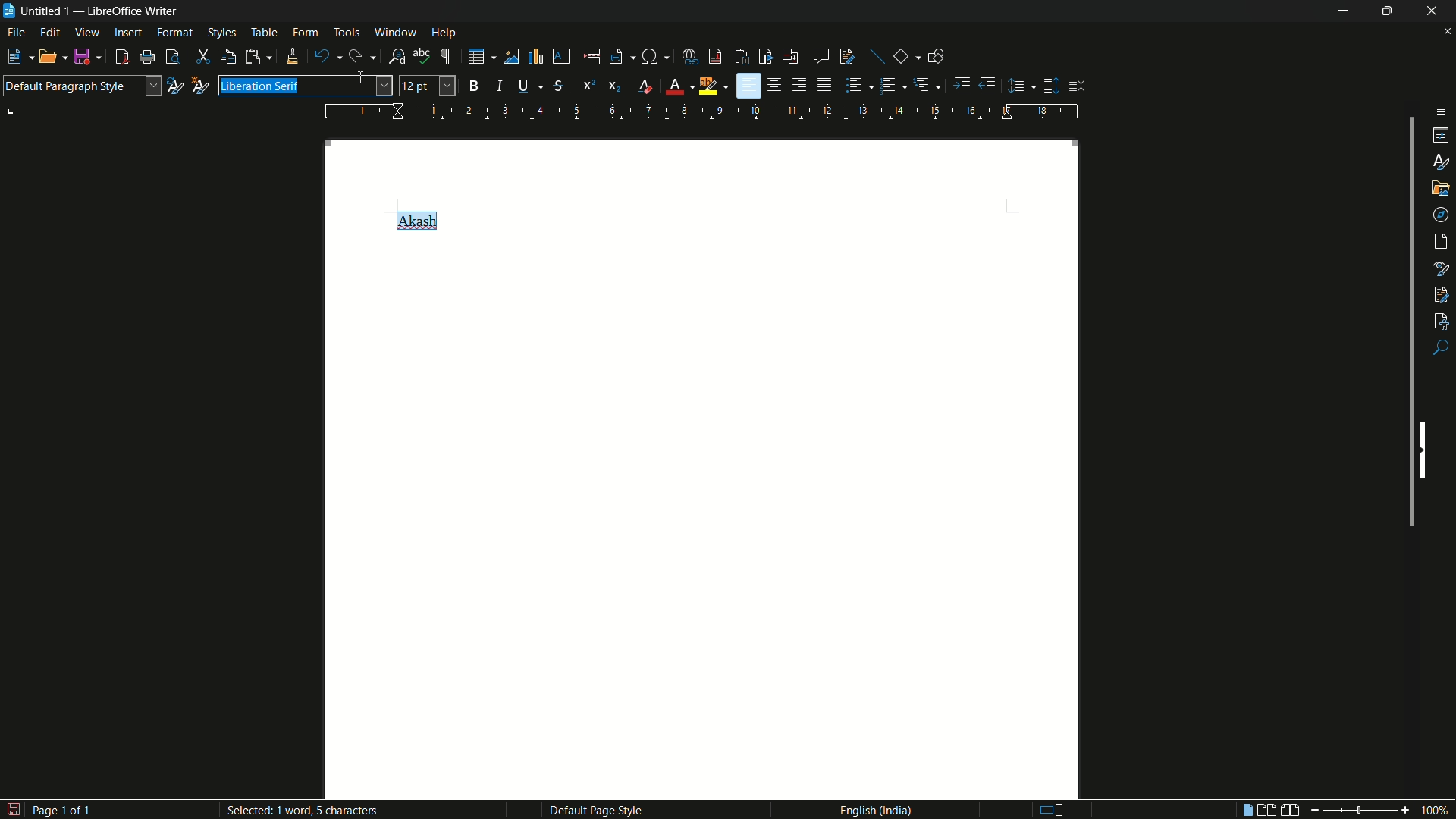 The image size is (1456, 819). I want to click on page style, so click(595, 810).